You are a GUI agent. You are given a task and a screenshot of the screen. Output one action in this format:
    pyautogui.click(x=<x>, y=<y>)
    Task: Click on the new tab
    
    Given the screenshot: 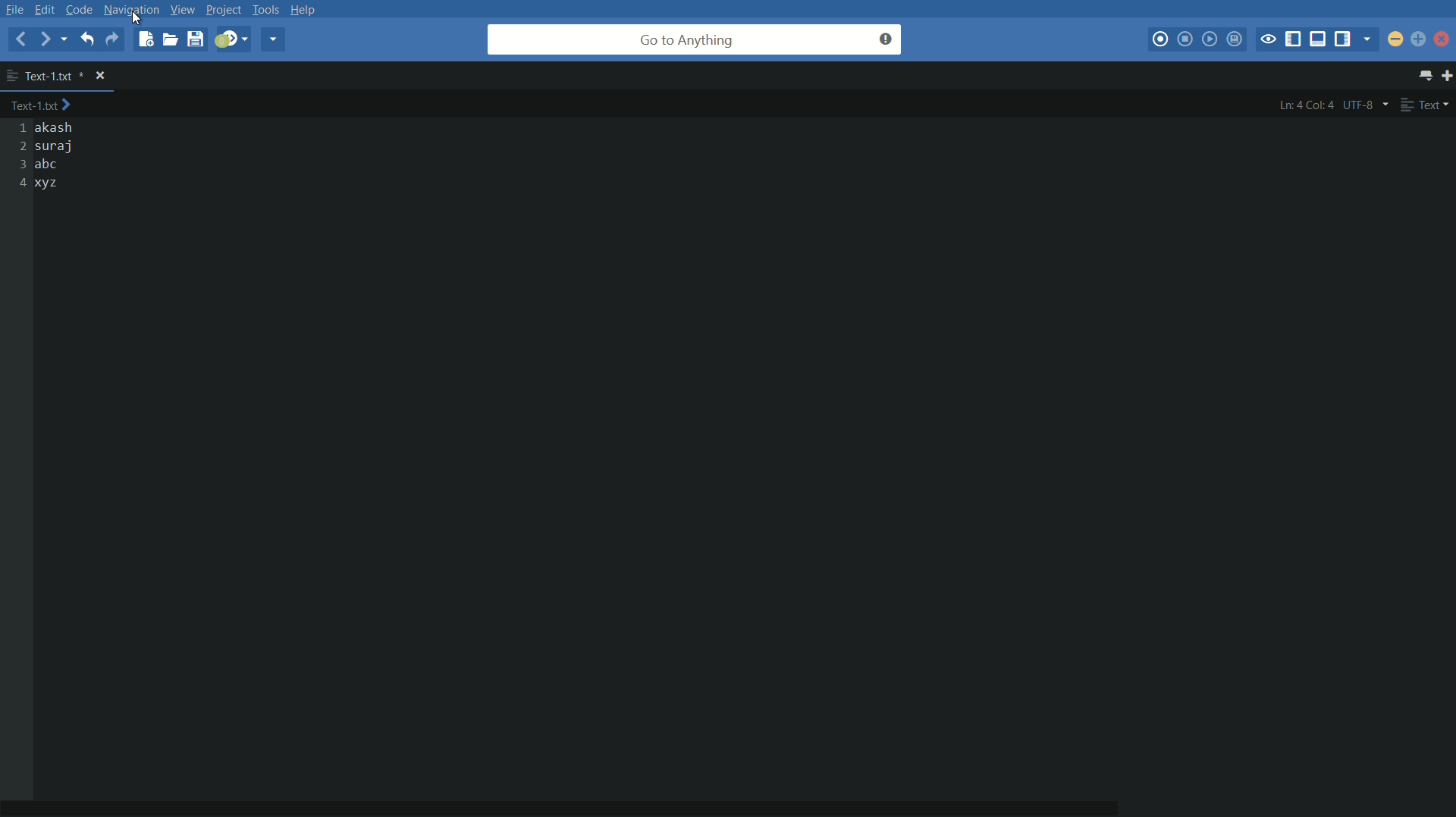 What is the action you would take?
    pyautogui.click(x=1447, y=77)
    